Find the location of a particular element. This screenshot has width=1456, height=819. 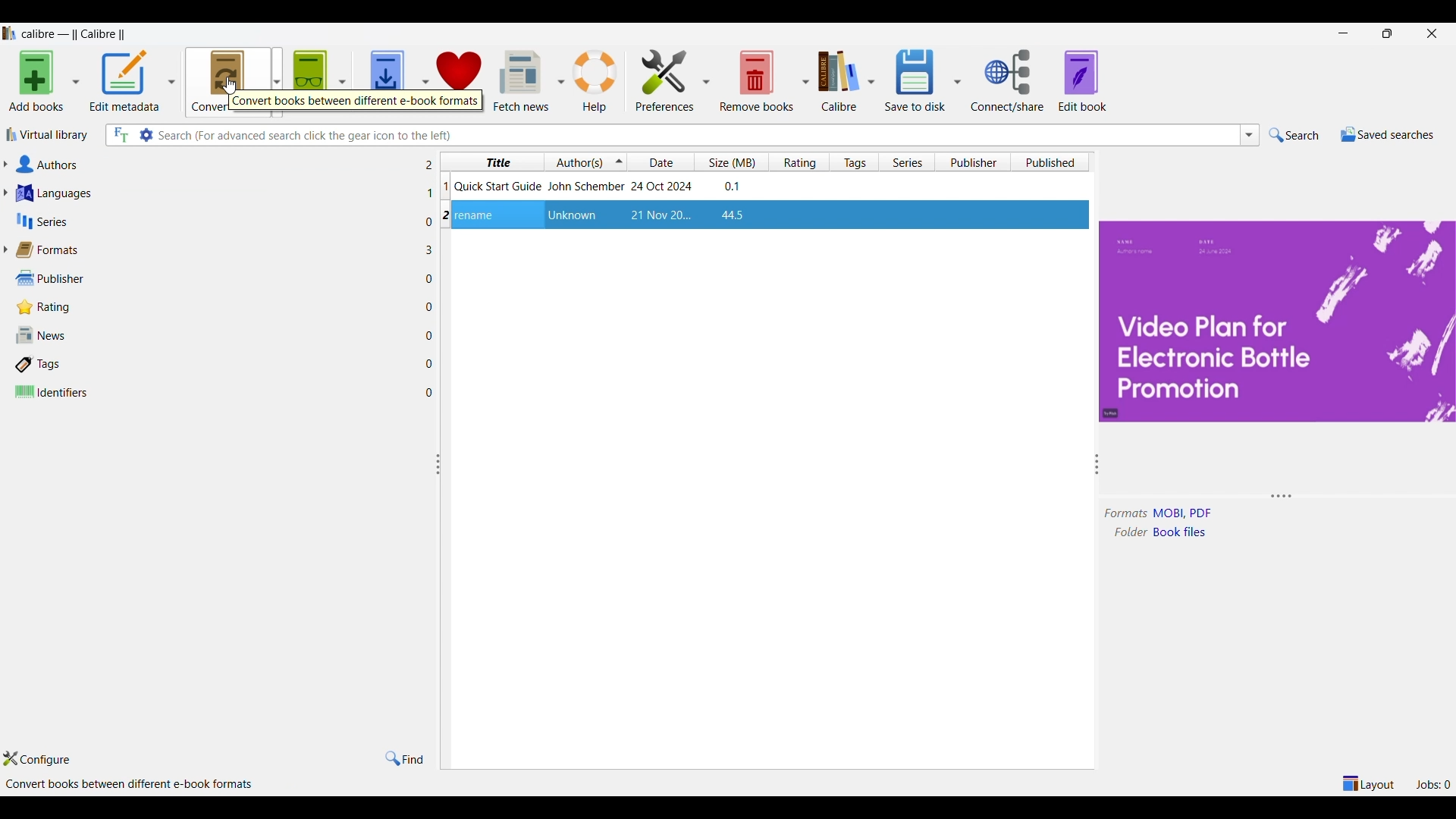

Search all files is located at coordinates (120, 135).